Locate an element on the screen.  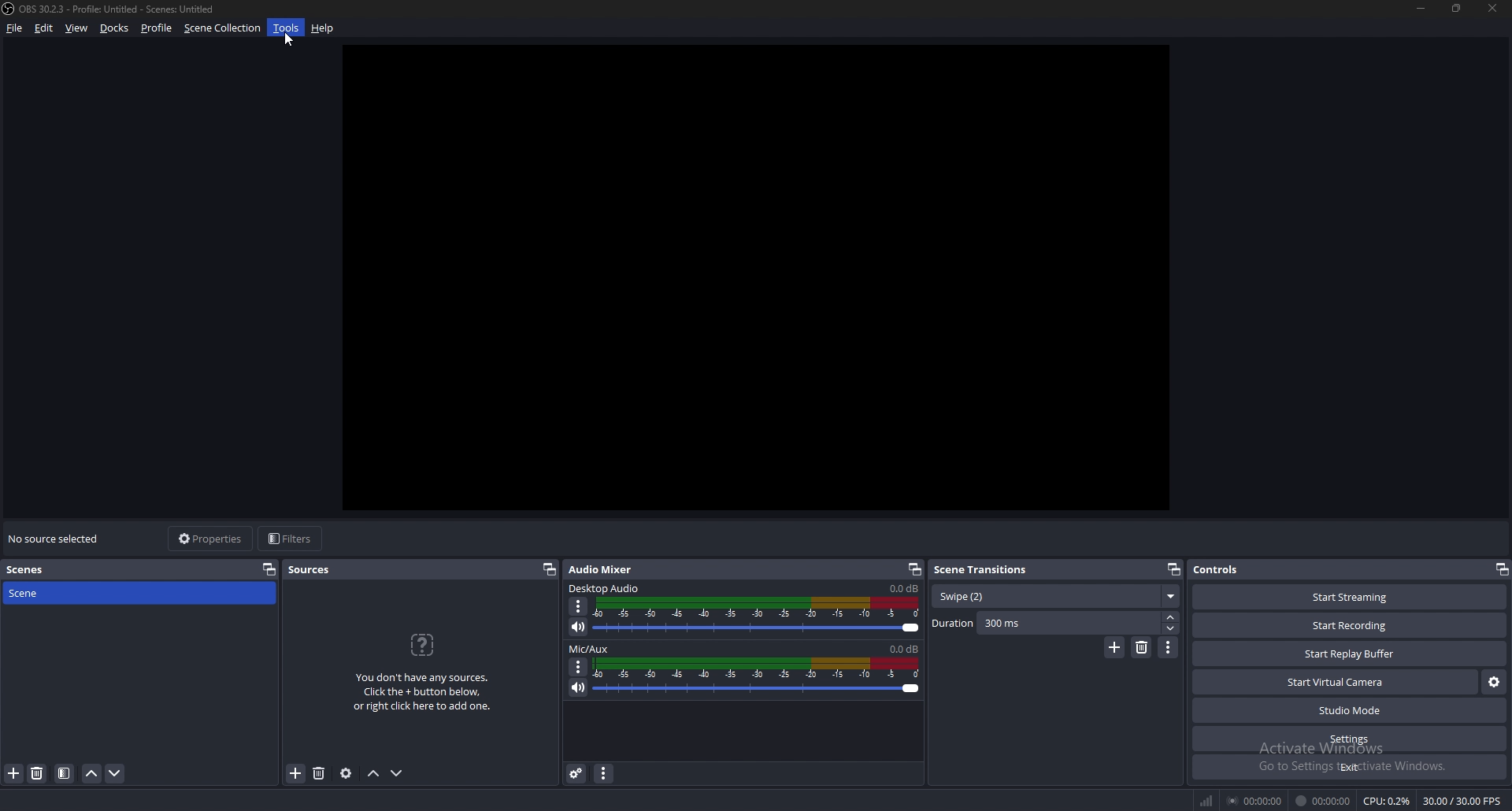
increase duration is located at coordinates (1172, 616).